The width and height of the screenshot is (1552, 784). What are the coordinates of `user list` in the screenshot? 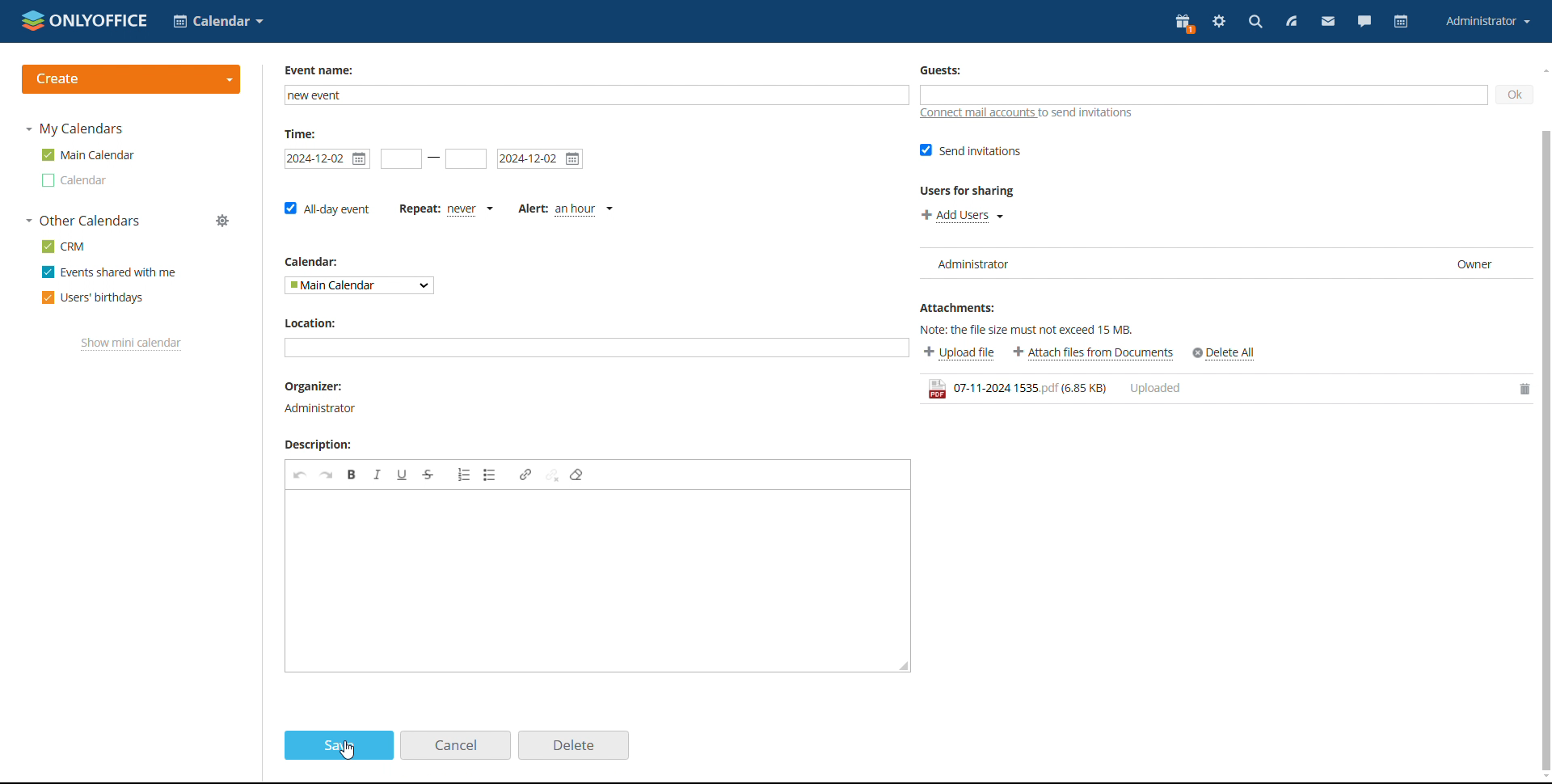 It's located at (1219, 263).